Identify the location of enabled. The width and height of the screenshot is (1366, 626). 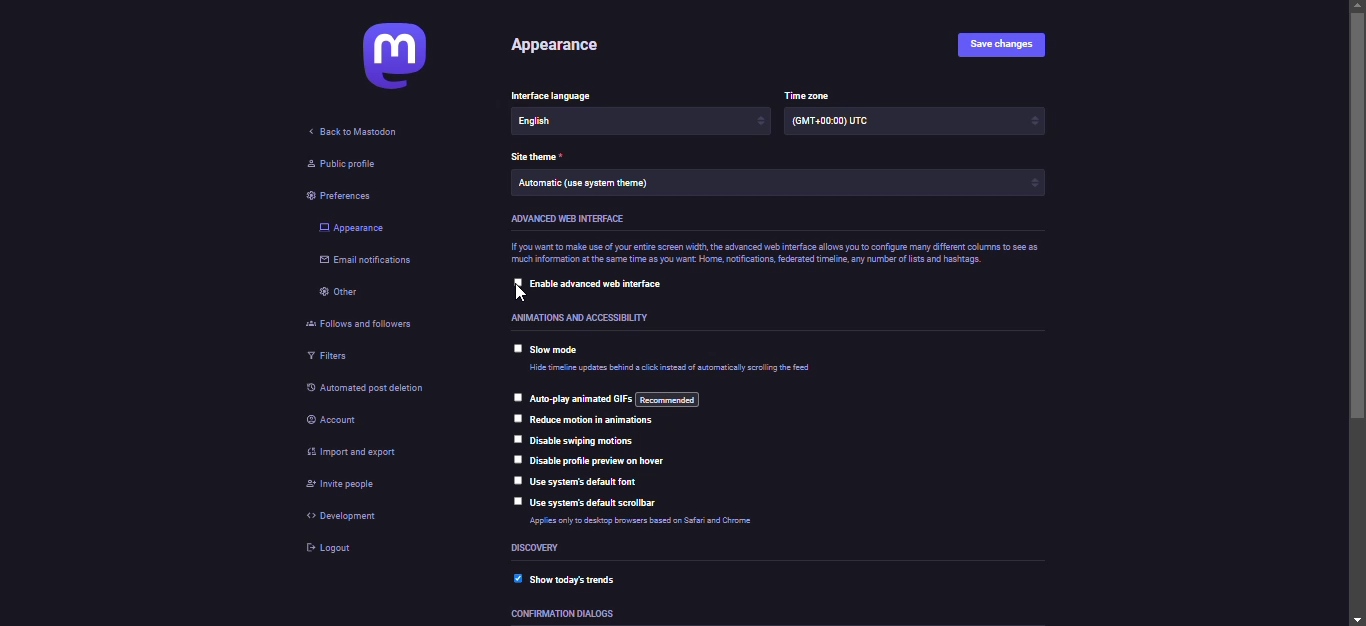
(512, 579).